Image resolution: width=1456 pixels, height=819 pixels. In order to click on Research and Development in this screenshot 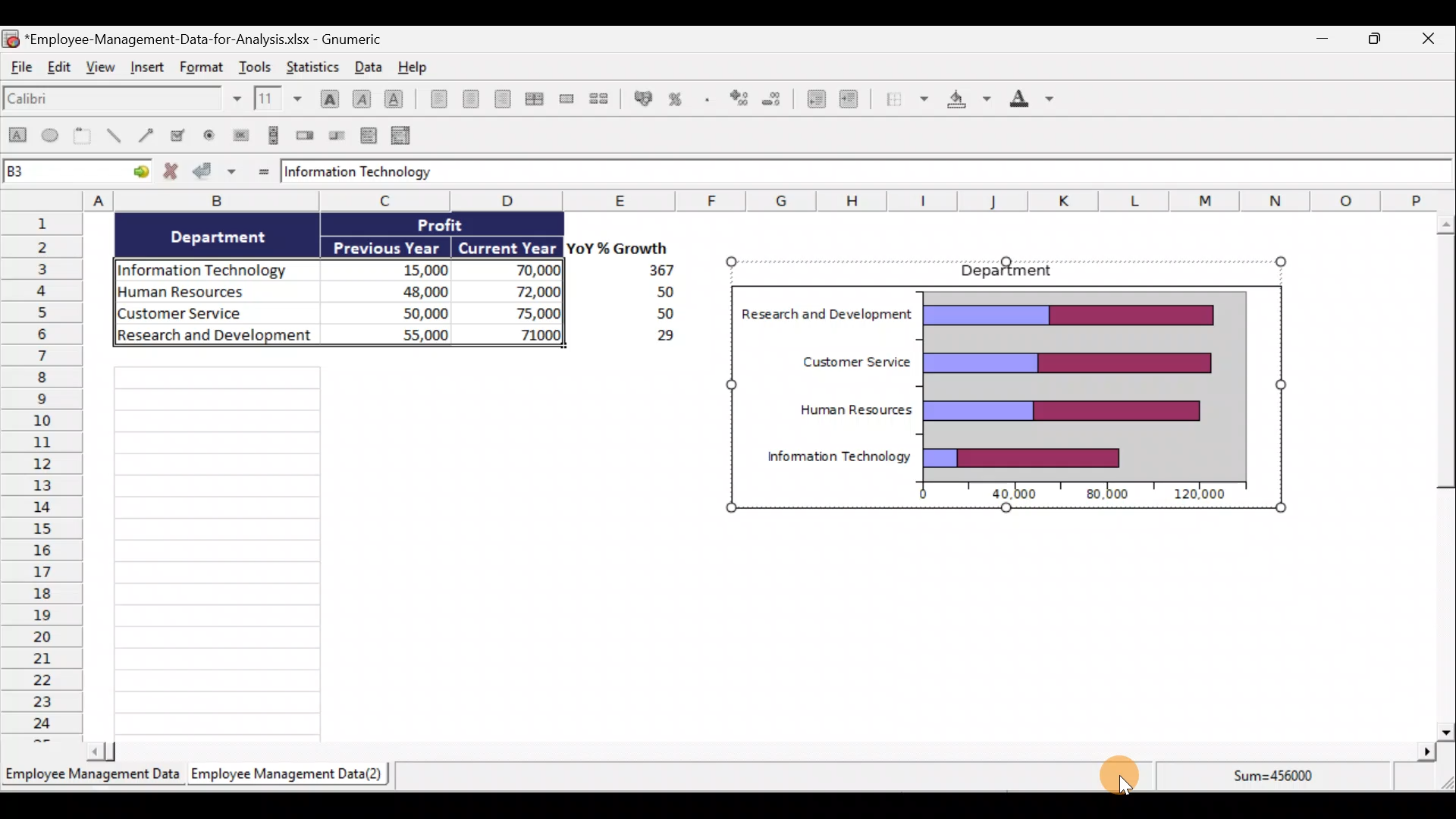, I will do `click(829, 312)`.